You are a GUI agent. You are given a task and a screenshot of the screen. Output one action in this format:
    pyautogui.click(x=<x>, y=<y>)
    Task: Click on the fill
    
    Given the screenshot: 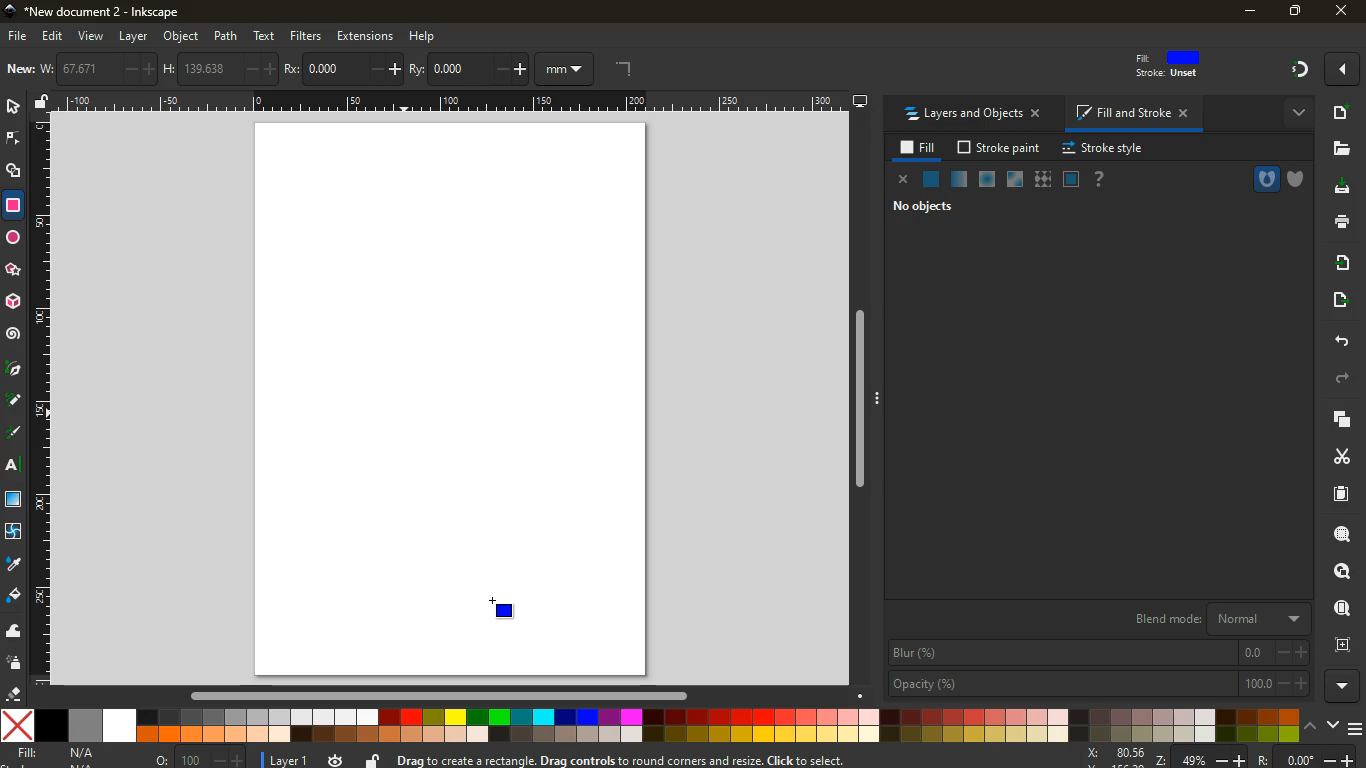 What is the action you would take?
    pyautogui.click(x=64, y=754)
    